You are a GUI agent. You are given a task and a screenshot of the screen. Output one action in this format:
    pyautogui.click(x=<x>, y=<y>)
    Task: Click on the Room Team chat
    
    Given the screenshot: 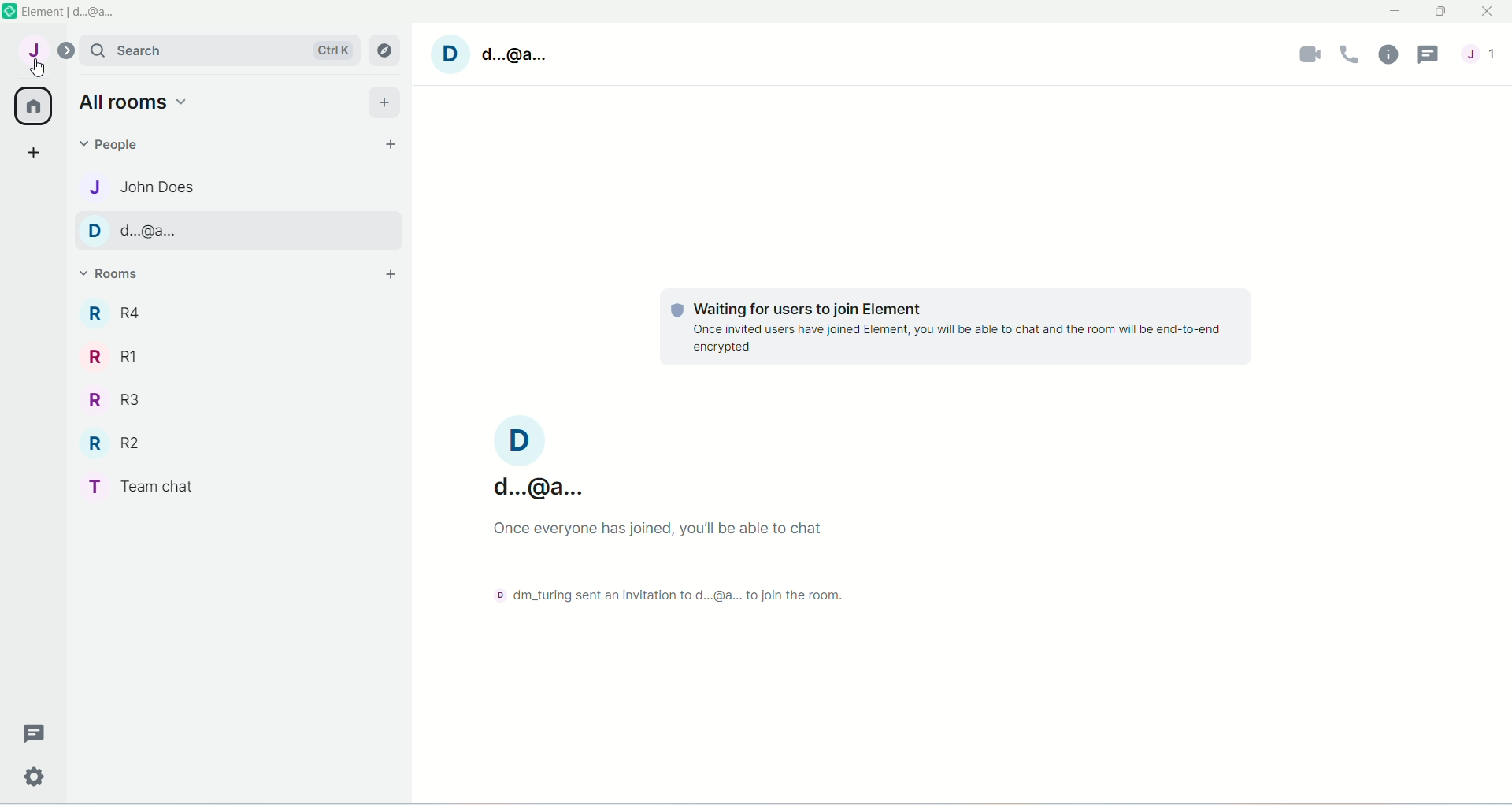 What is the action you would take?
    pyautogui.click(x=152, y=488)
    